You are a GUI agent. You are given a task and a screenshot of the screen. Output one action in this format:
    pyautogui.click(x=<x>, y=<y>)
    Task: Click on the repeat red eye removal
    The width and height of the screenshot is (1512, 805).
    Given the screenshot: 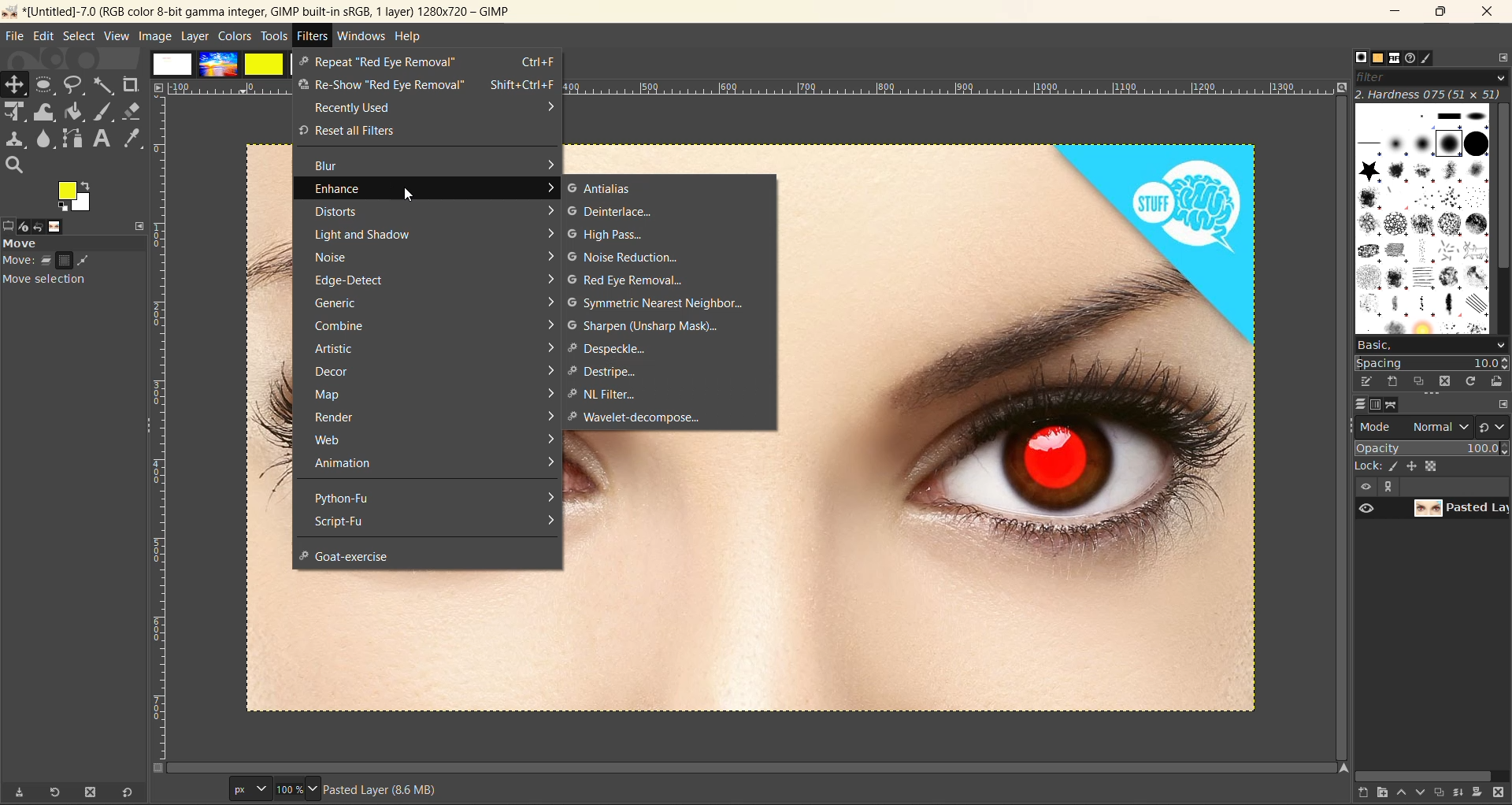 What is the action you would take?
    pyautogui.click(x=430, y=63)
    